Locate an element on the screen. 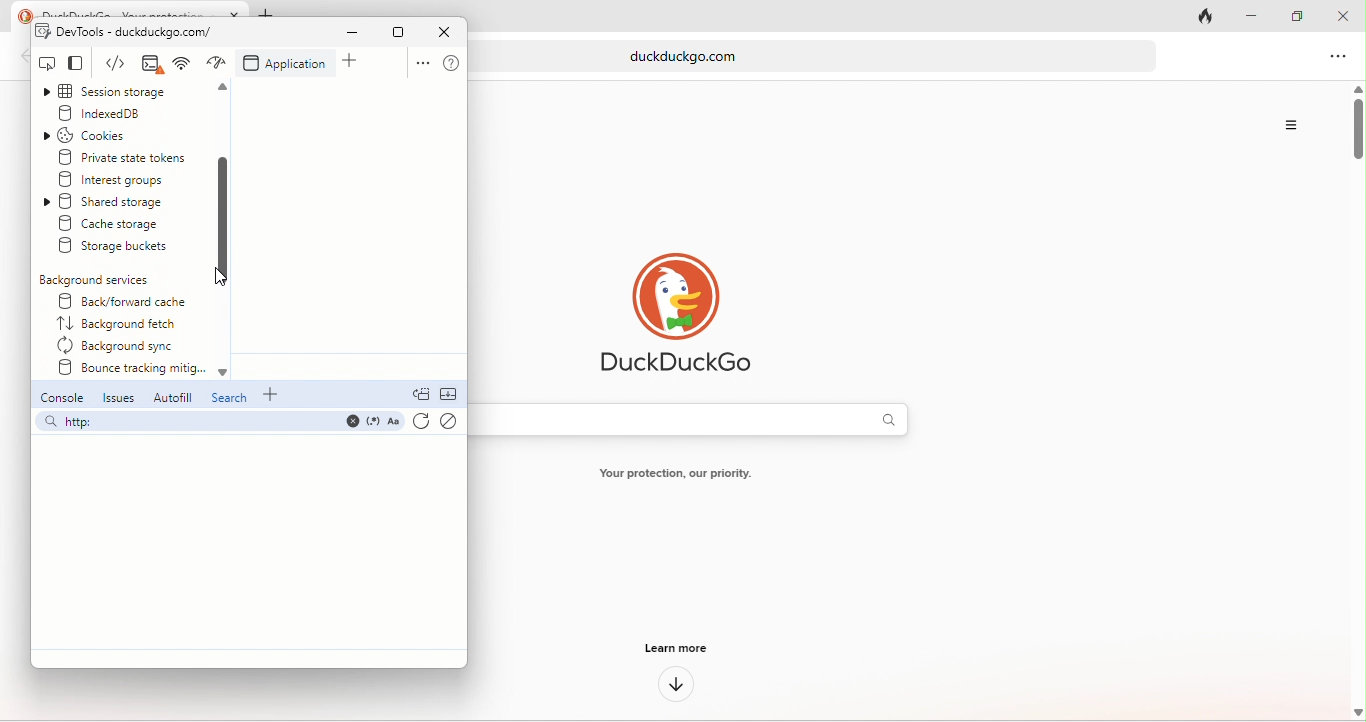  network is located at coordinates (216, 63).